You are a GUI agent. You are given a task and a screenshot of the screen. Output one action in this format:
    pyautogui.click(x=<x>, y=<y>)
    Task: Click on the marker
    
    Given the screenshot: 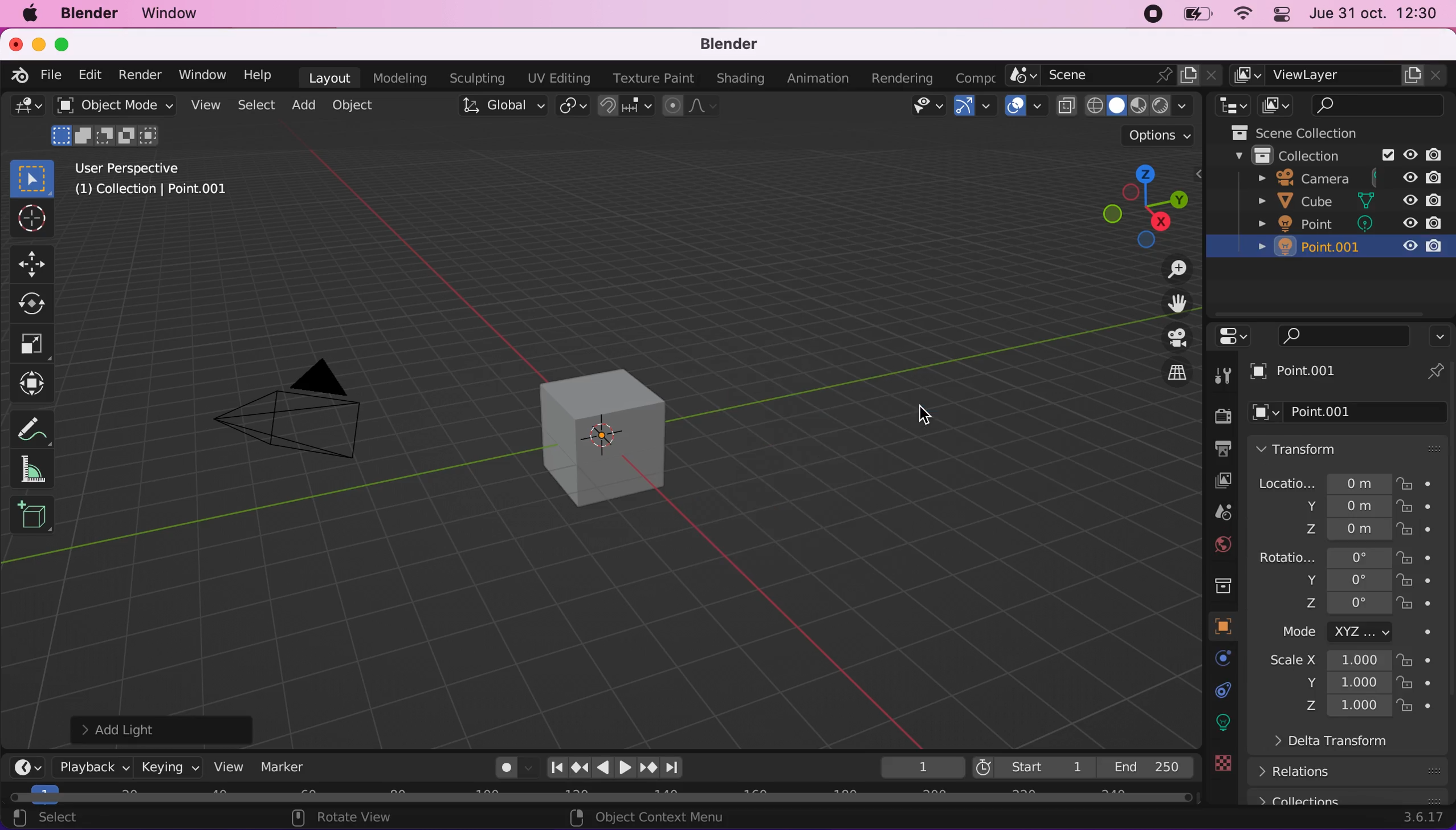 What is the action you would take?
    pyautogui.click(x=288, y=767)
    